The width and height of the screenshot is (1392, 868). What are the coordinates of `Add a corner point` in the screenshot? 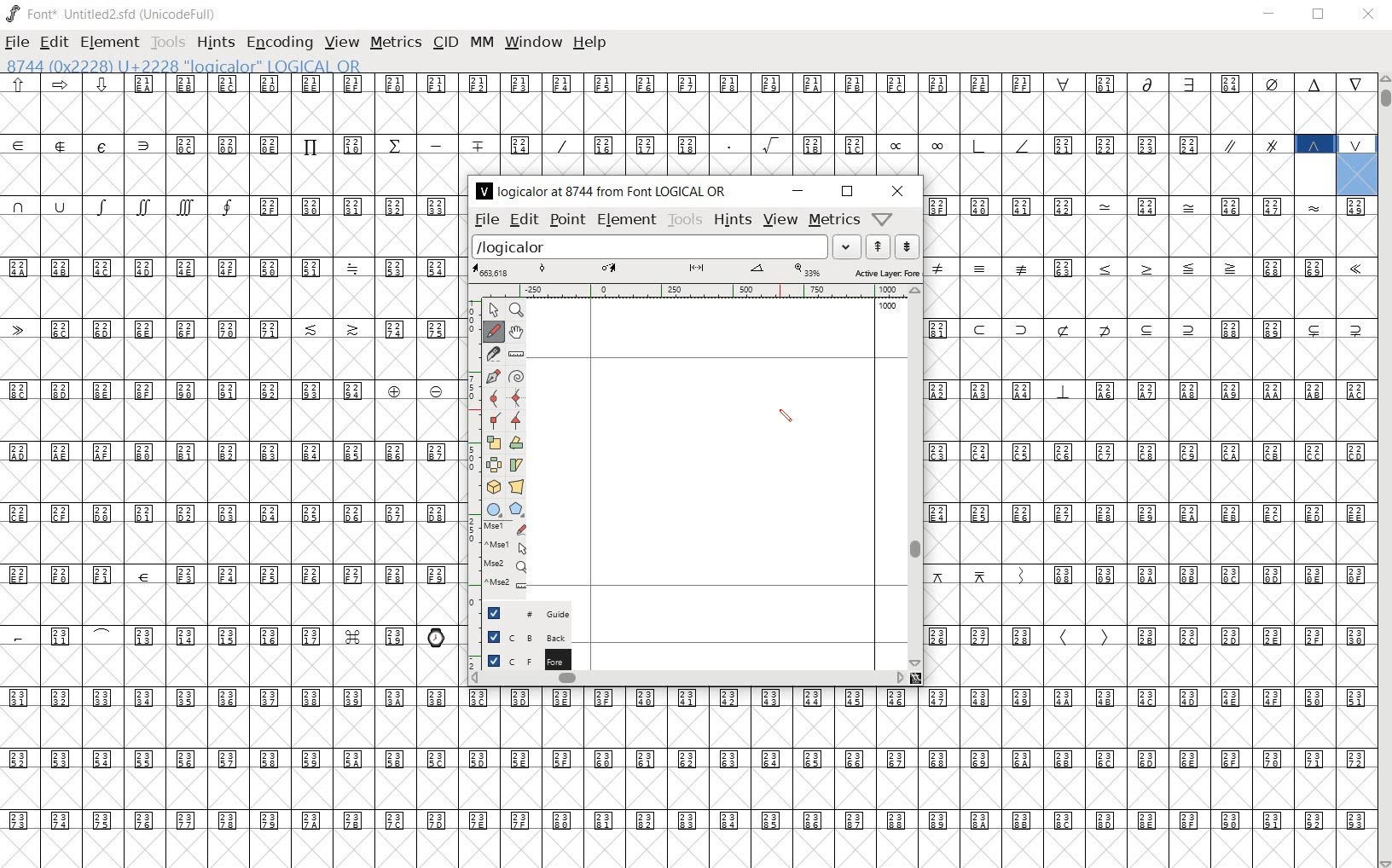 It's located at (495, 422).